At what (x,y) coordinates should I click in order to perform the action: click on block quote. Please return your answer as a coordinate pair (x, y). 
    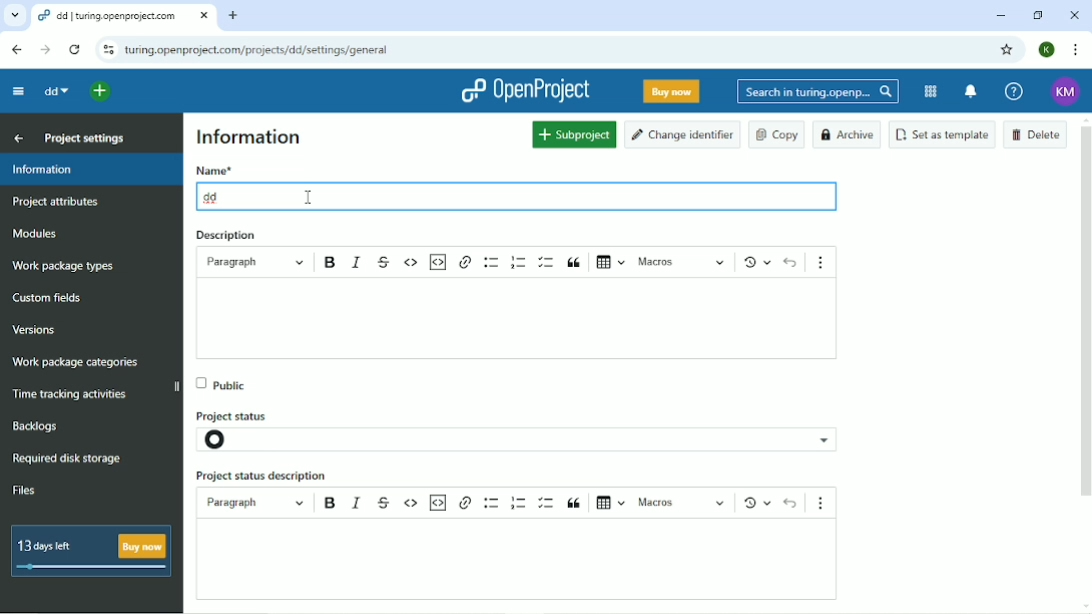
    Looking at the image, I should click on (577, 502).